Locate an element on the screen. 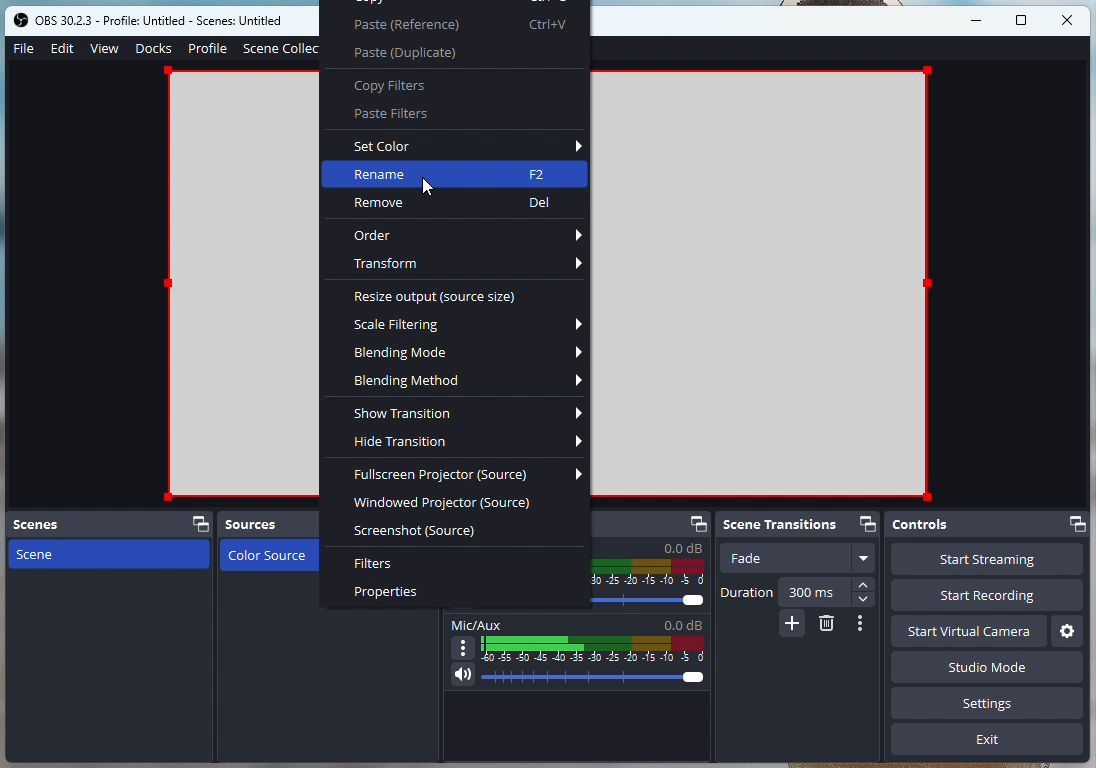 This screenshot has height=768, width=1096. Hide Transition is located at coordinates (466, 443).